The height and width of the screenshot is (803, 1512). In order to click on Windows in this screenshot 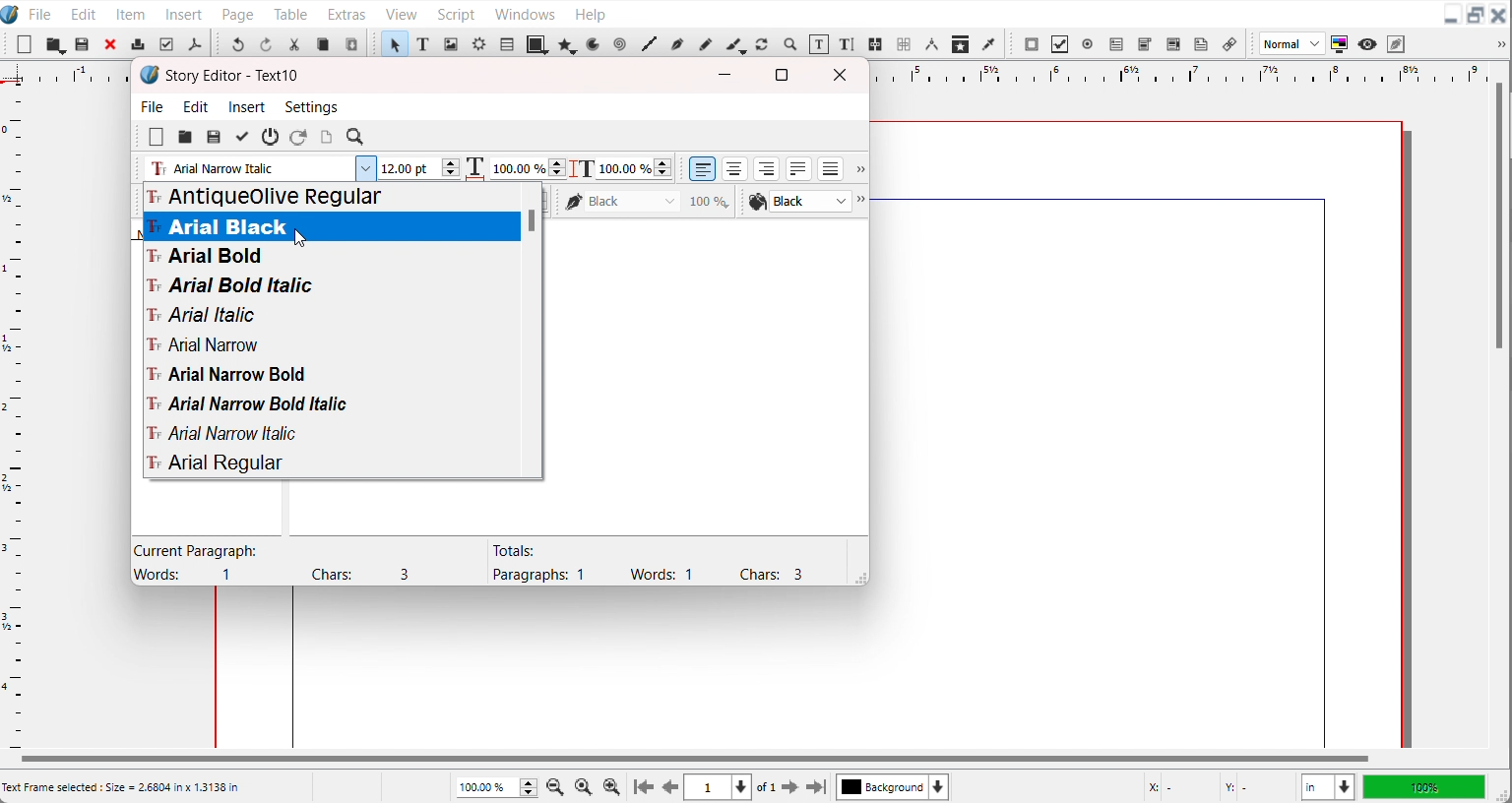, I will do `click(525, 12)`.